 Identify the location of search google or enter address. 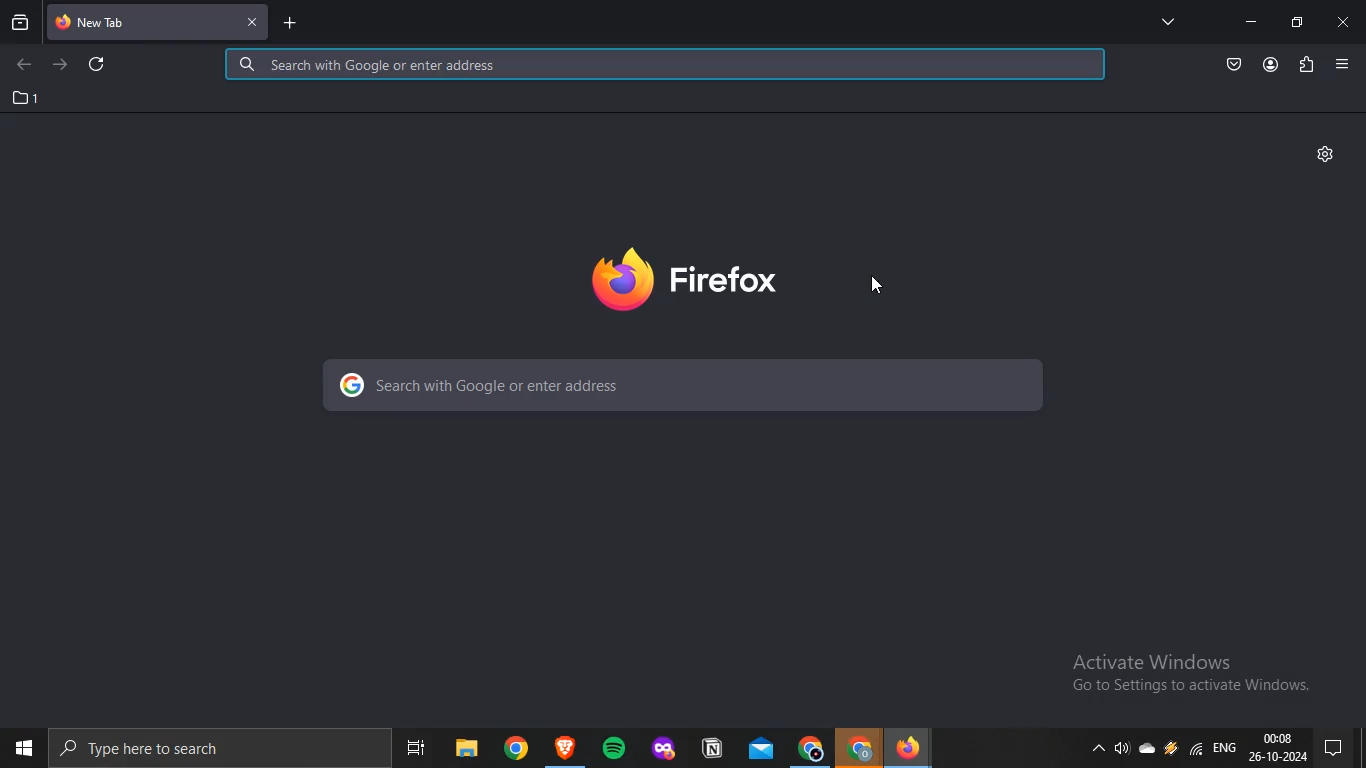
(665, 66).